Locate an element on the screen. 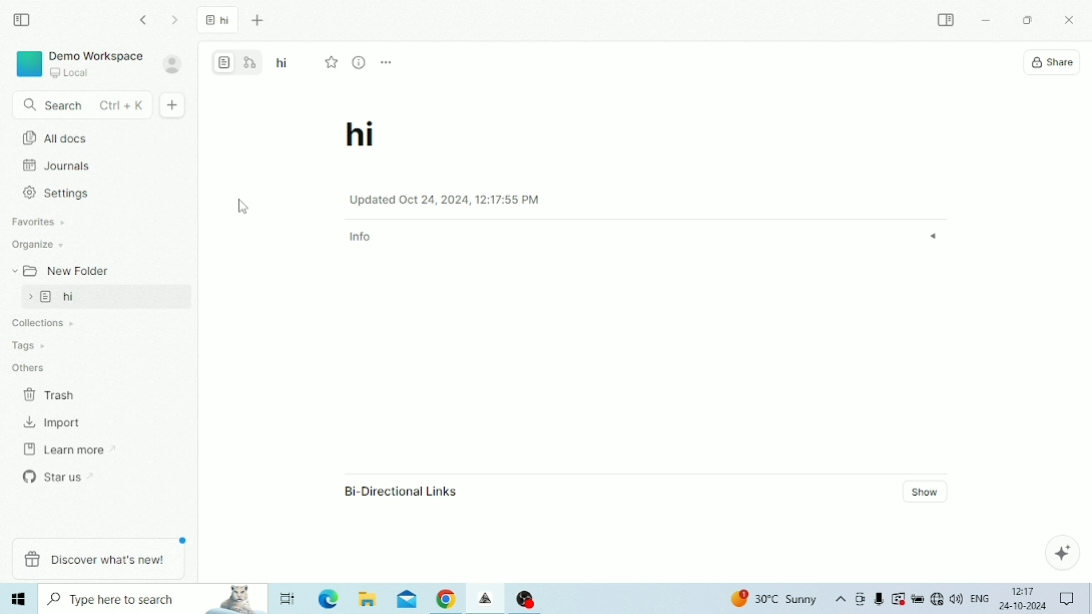 The image size is (1092, 614). Date is located at coordinates (1022, 606).